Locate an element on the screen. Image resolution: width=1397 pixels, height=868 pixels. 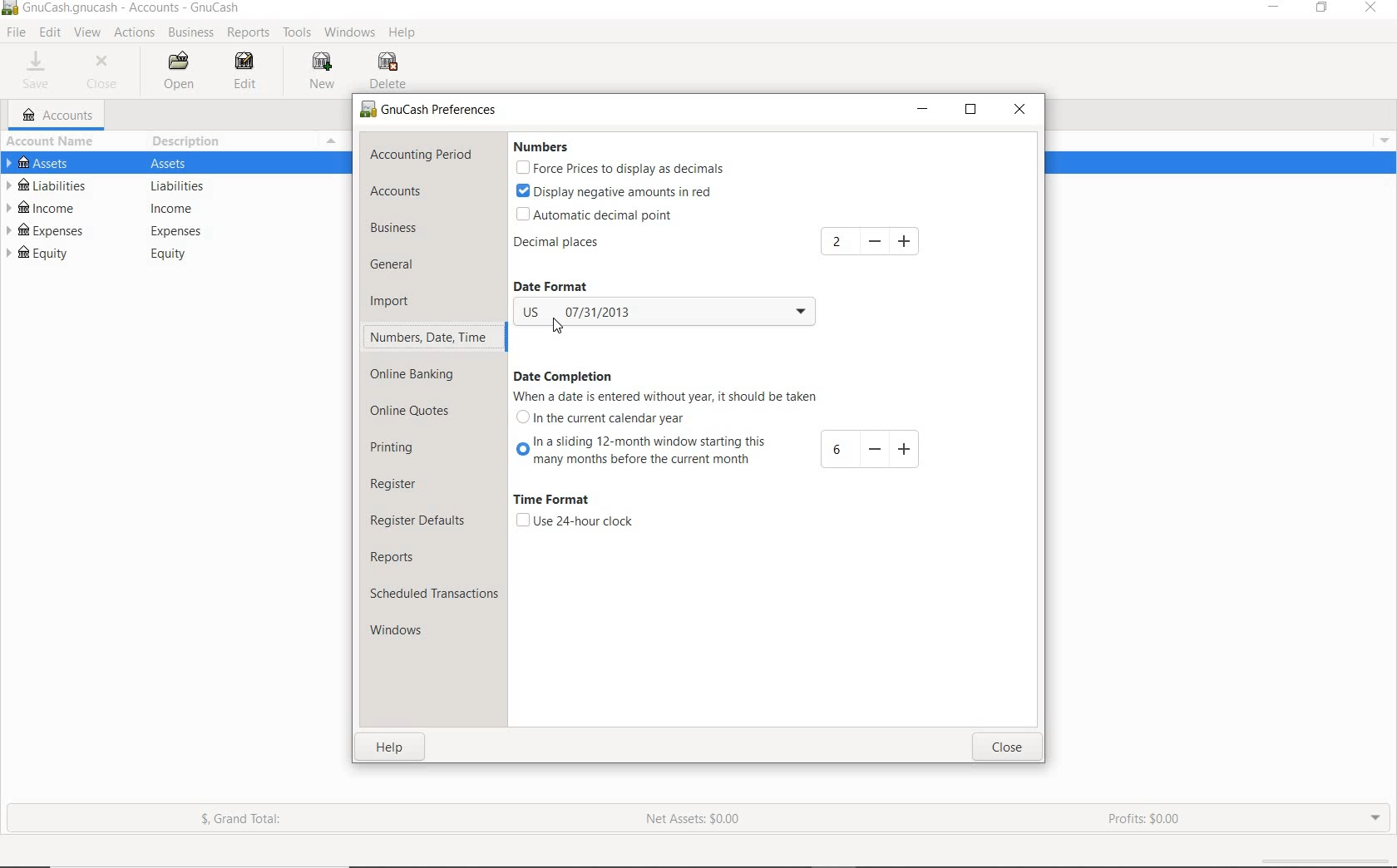
date format is located at coordinates (564, 287).